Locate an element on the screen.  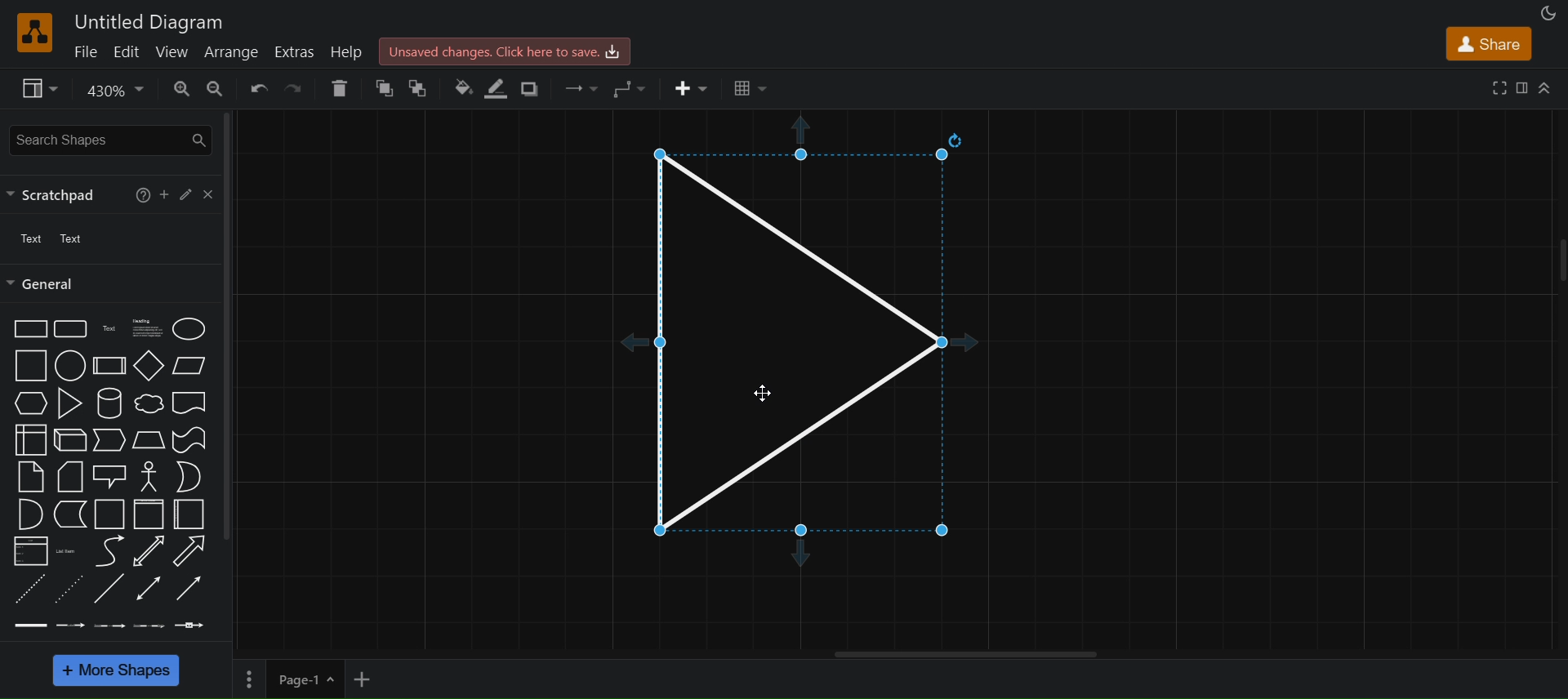
zoom in is located at coordinates (181, 89).